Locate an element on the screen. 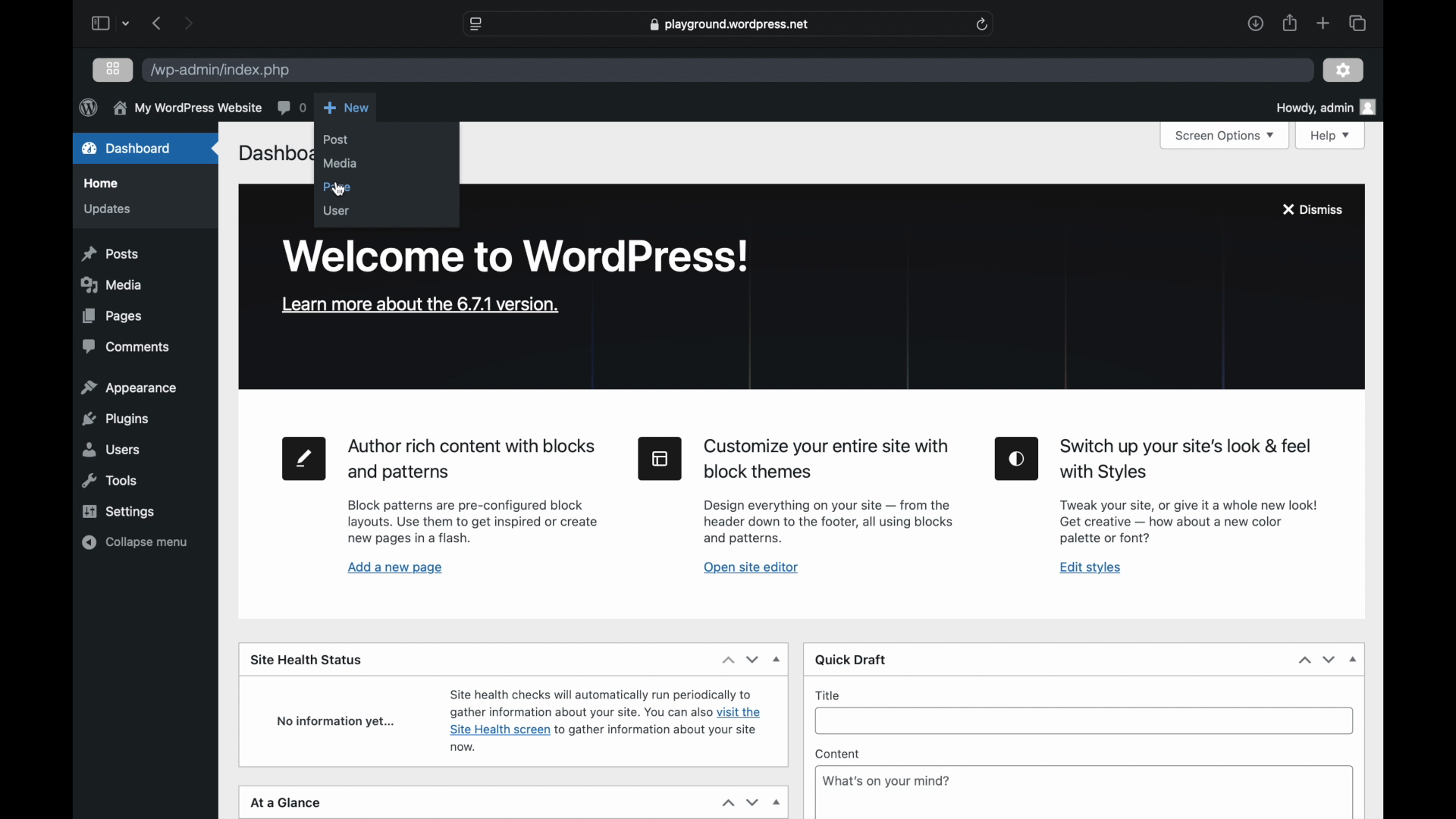  pages is located at coordinates (113, 316).